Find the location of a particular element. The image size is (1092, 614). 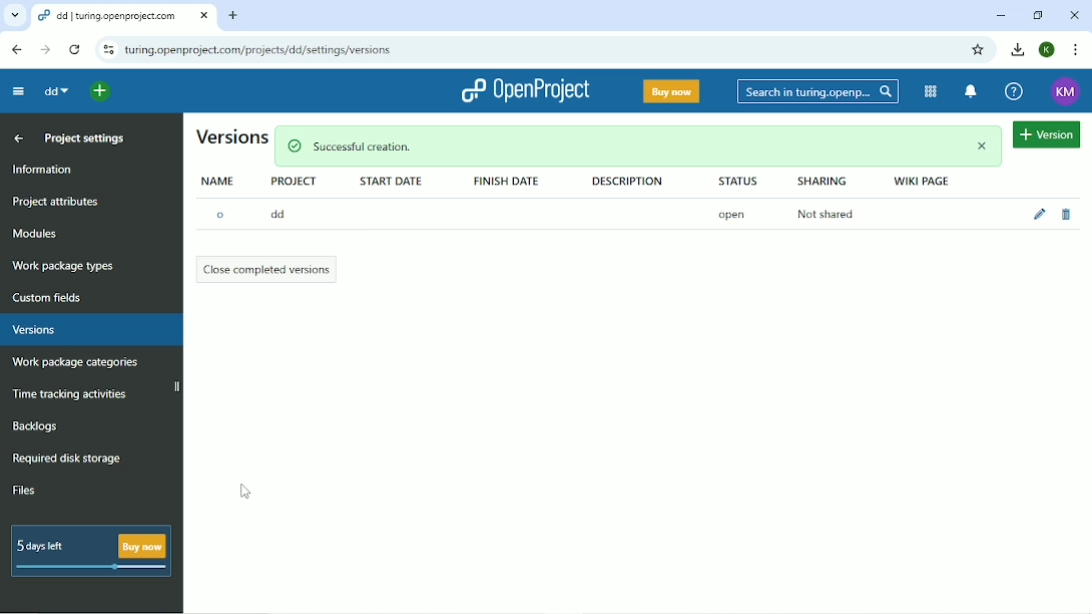

Status is located at coordinates (739, 181).